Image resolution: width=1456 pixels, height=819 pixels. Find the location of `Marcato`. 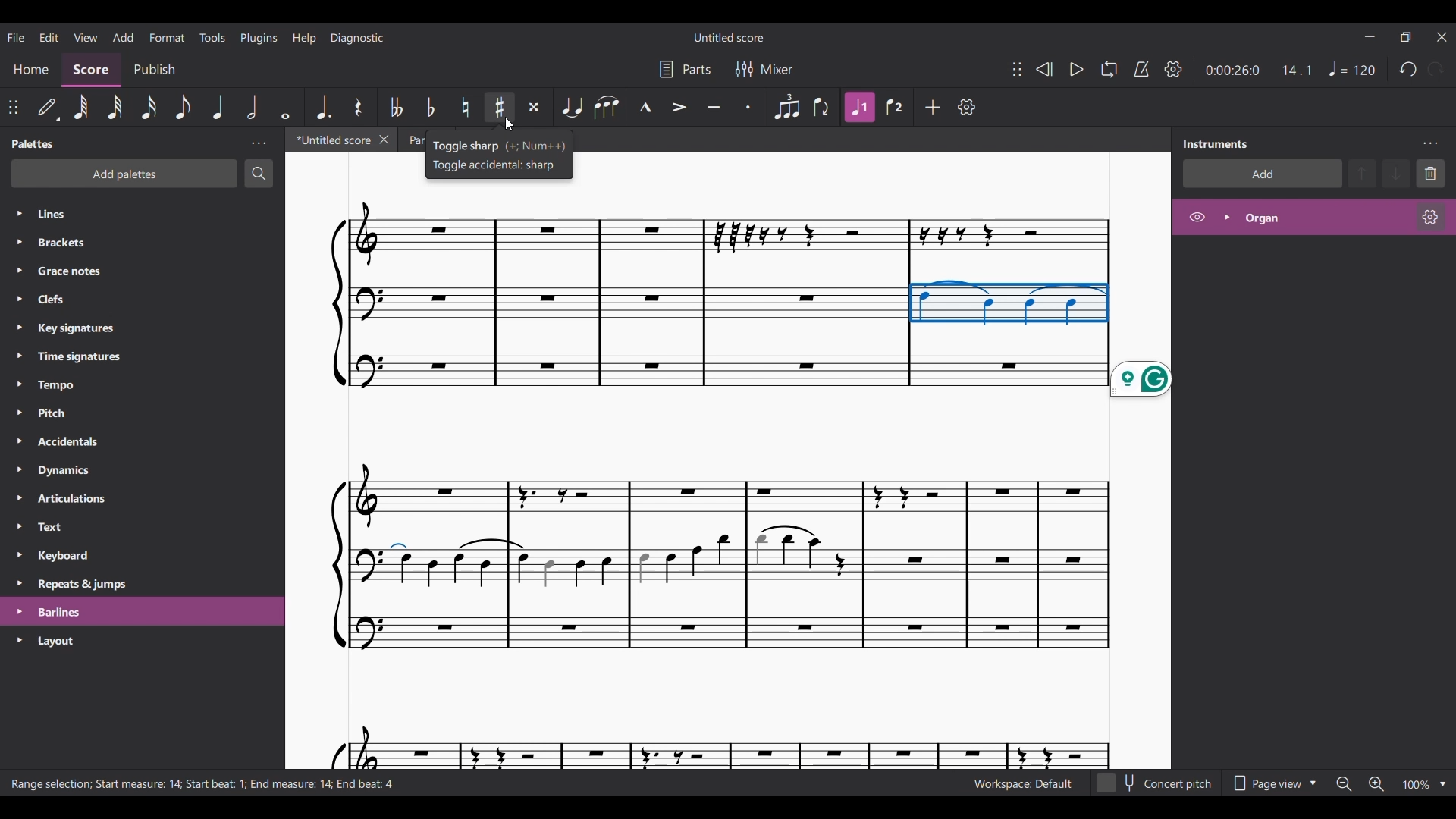

Marcato is located at coordinates (645, 107).